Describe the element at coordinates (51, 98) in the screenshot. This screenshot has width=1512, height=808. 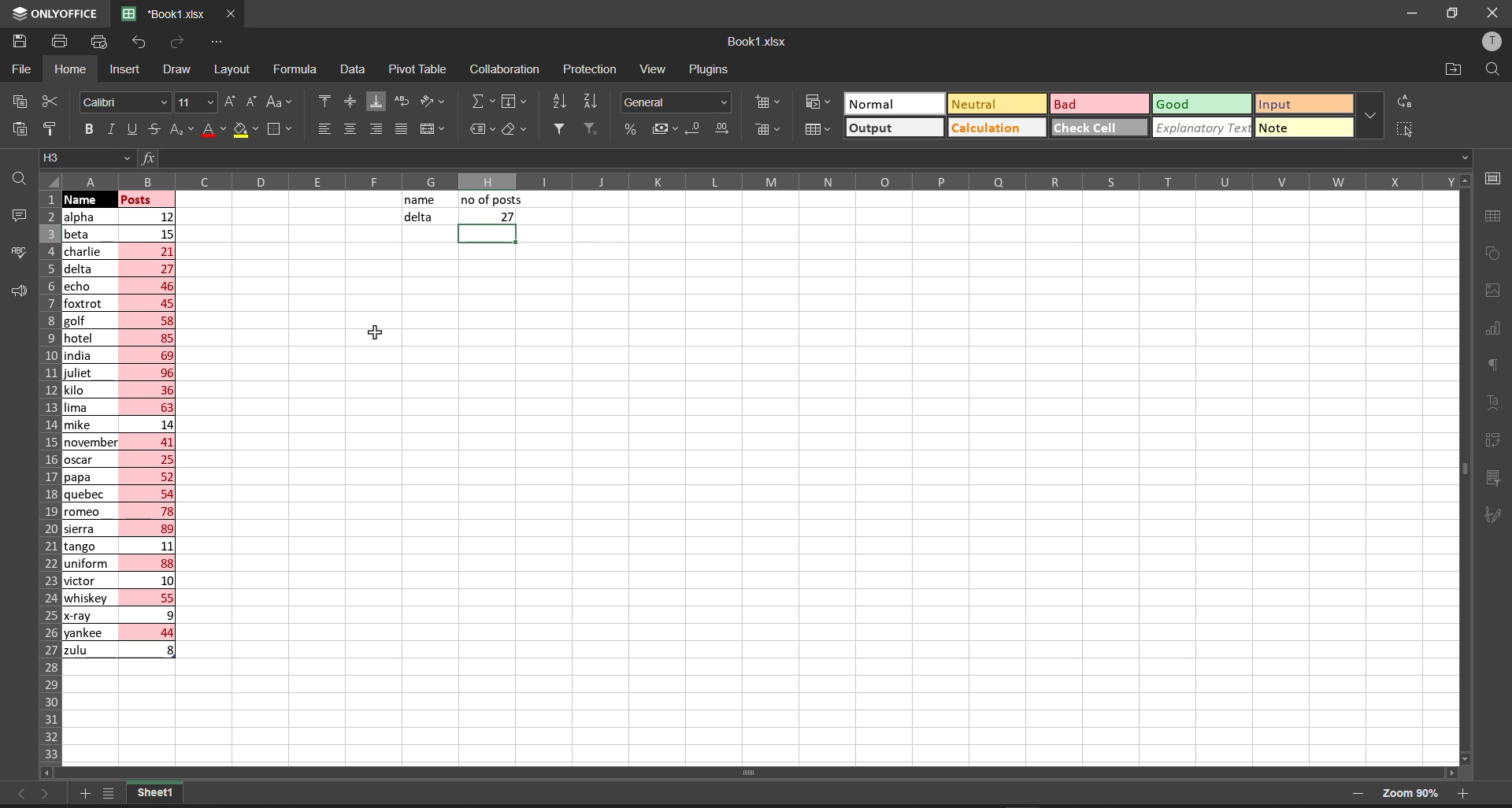
I see `cut` at that location.